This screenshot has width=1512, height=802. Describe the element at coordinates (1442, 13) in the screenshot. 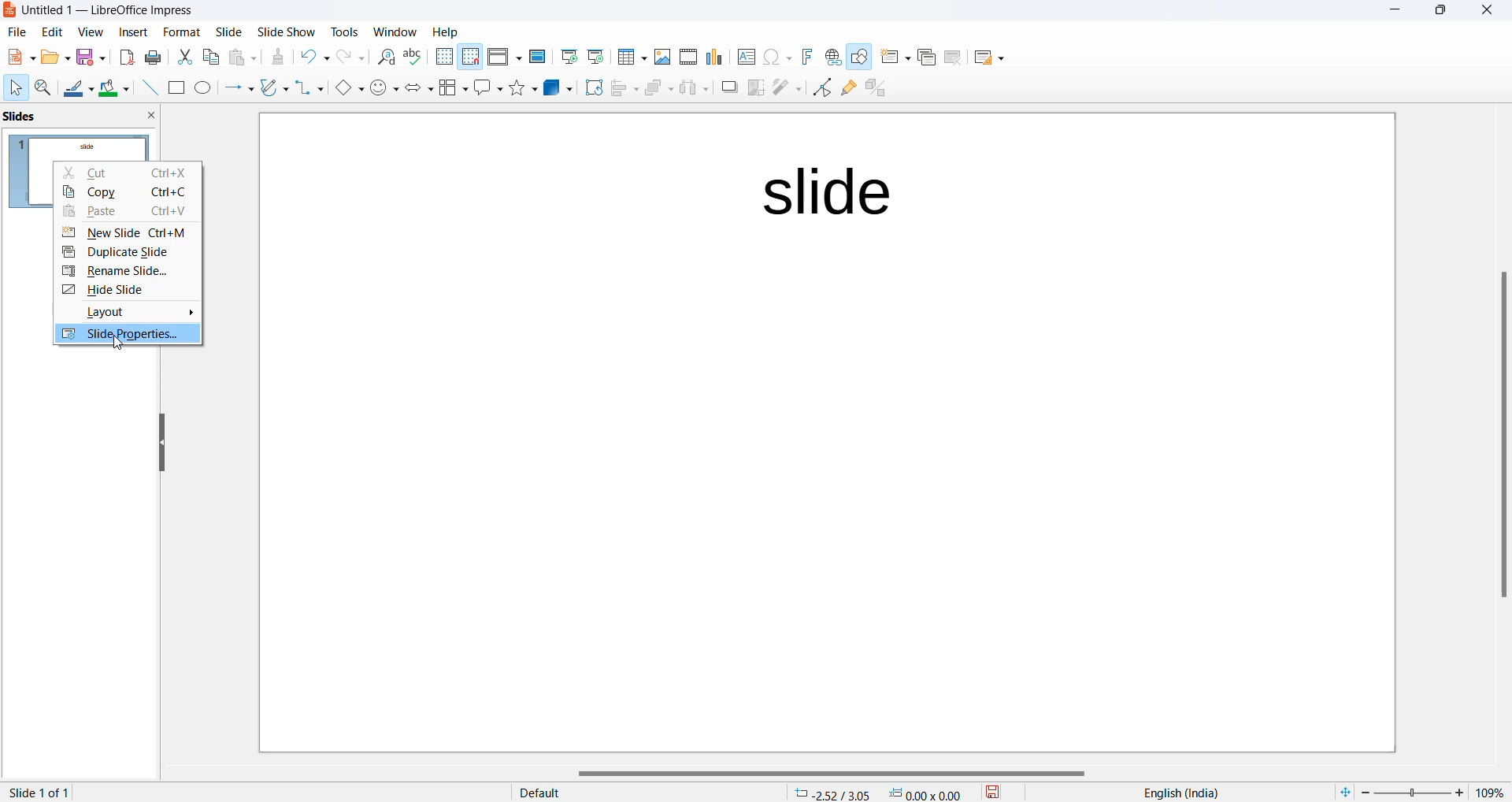

I see `maximize` at that location.